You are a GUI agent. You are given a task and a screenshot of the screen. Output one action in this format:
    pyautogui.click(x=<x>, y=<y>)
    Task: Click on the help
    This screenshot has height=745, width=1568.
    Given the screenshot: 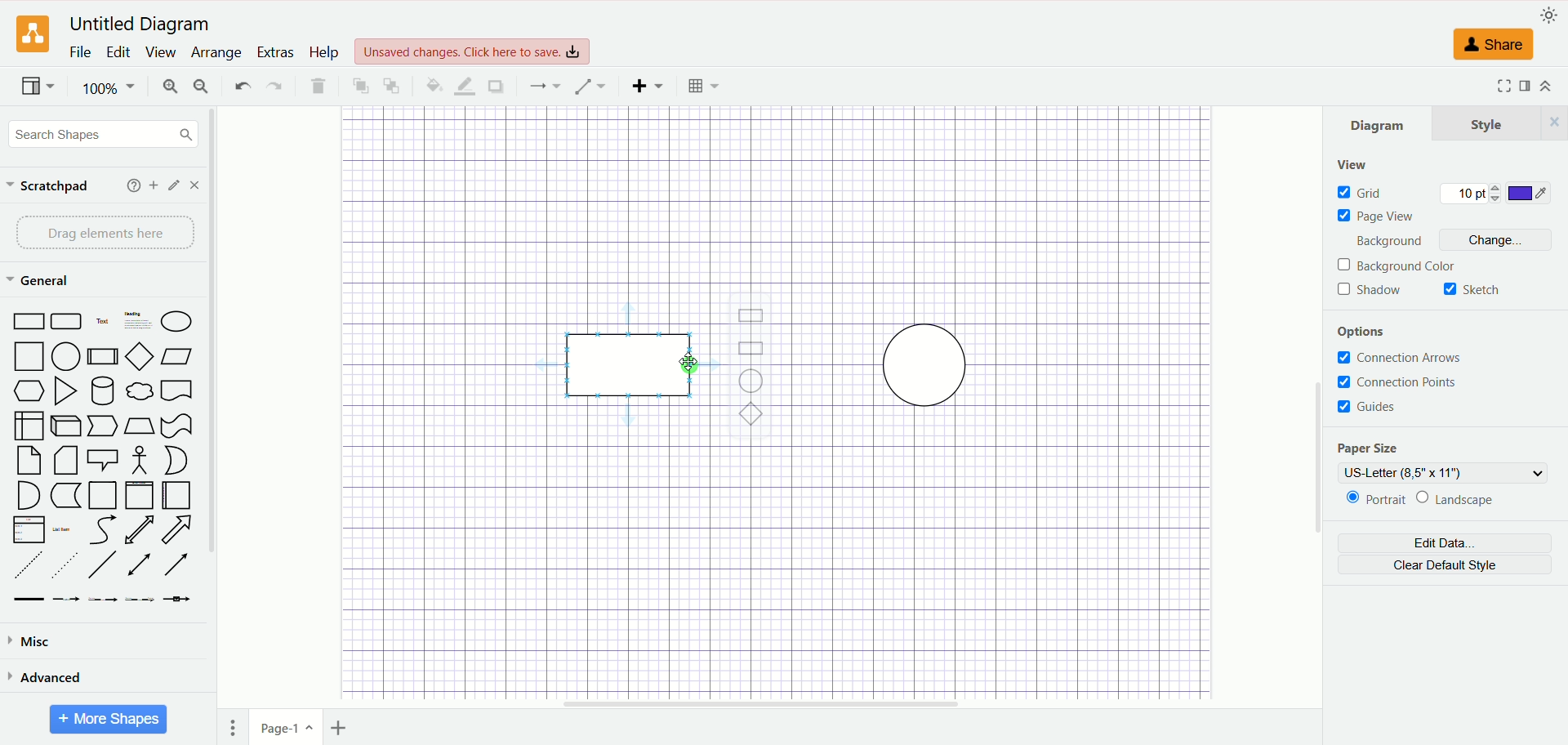 What is the action you would take?
    pyautogui.click(x=324, y=53)
    